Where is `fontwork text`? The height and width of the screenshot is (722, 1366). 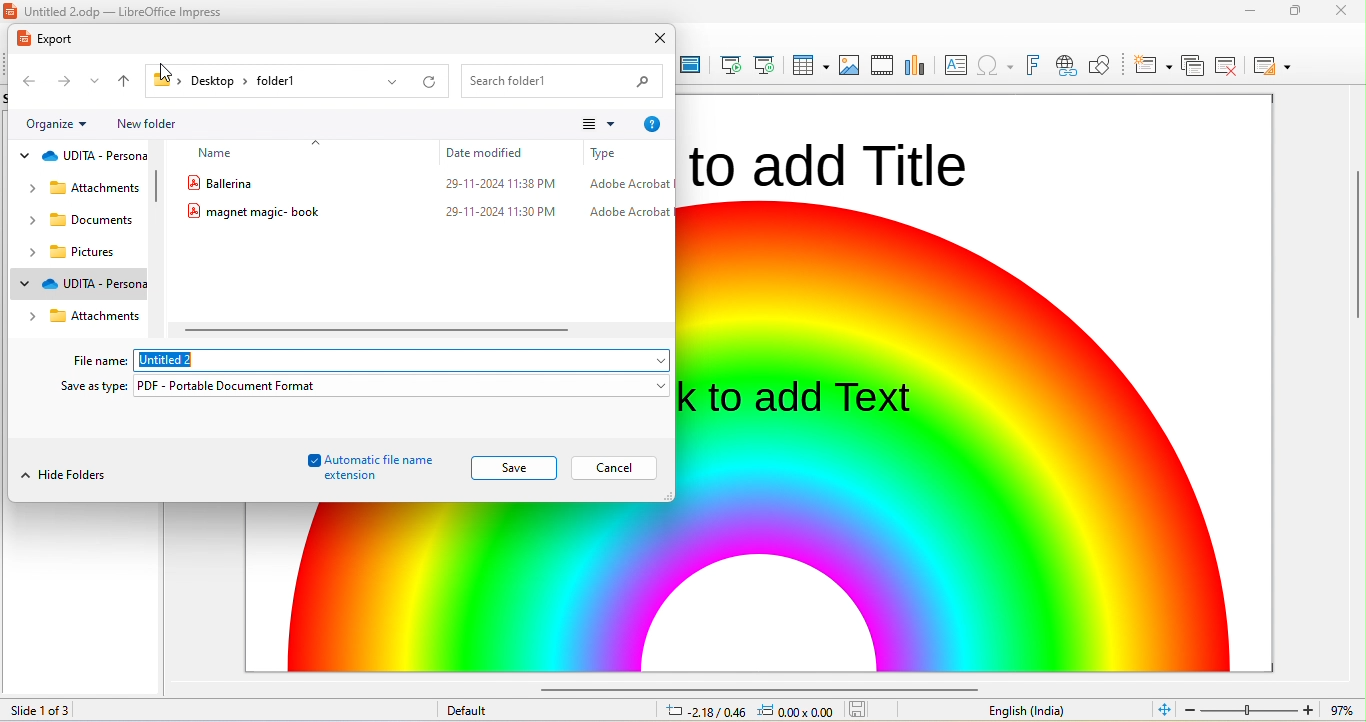
fontwork text is located at coordinates (1031, 63).